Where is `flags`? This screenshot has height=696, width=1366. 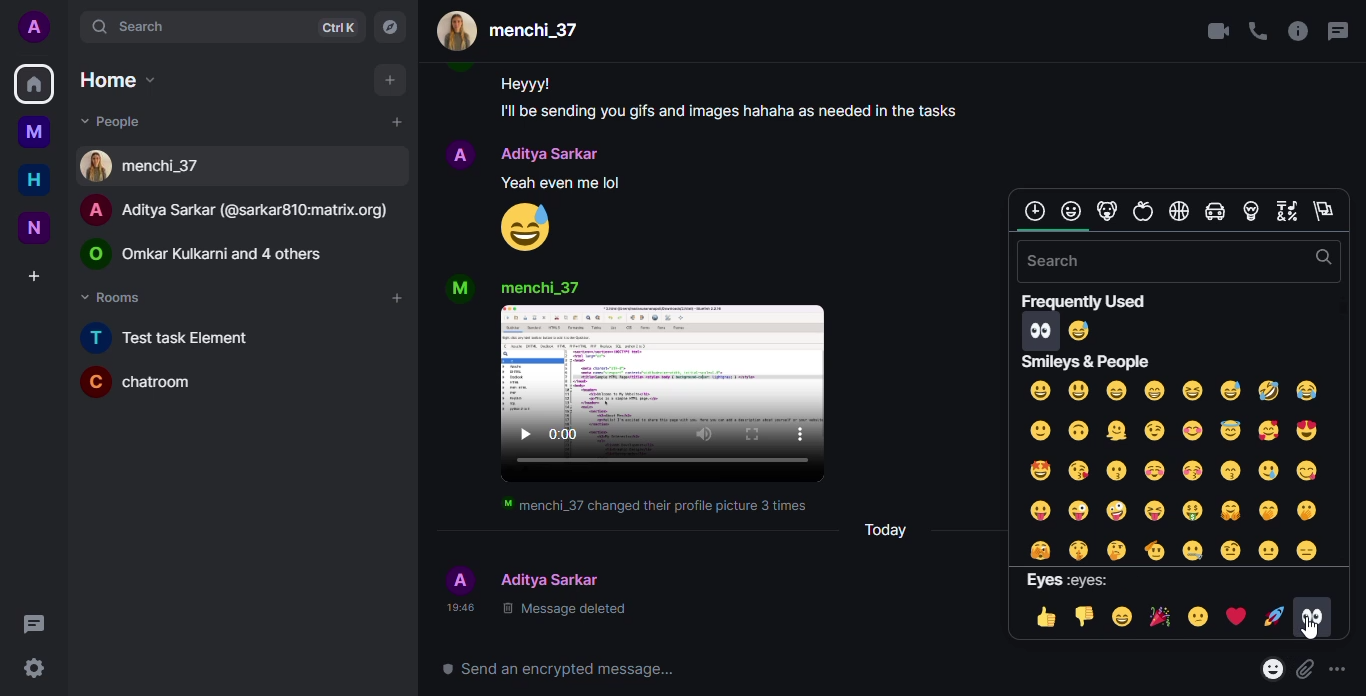 flags is located at coordinates (1323, 212).